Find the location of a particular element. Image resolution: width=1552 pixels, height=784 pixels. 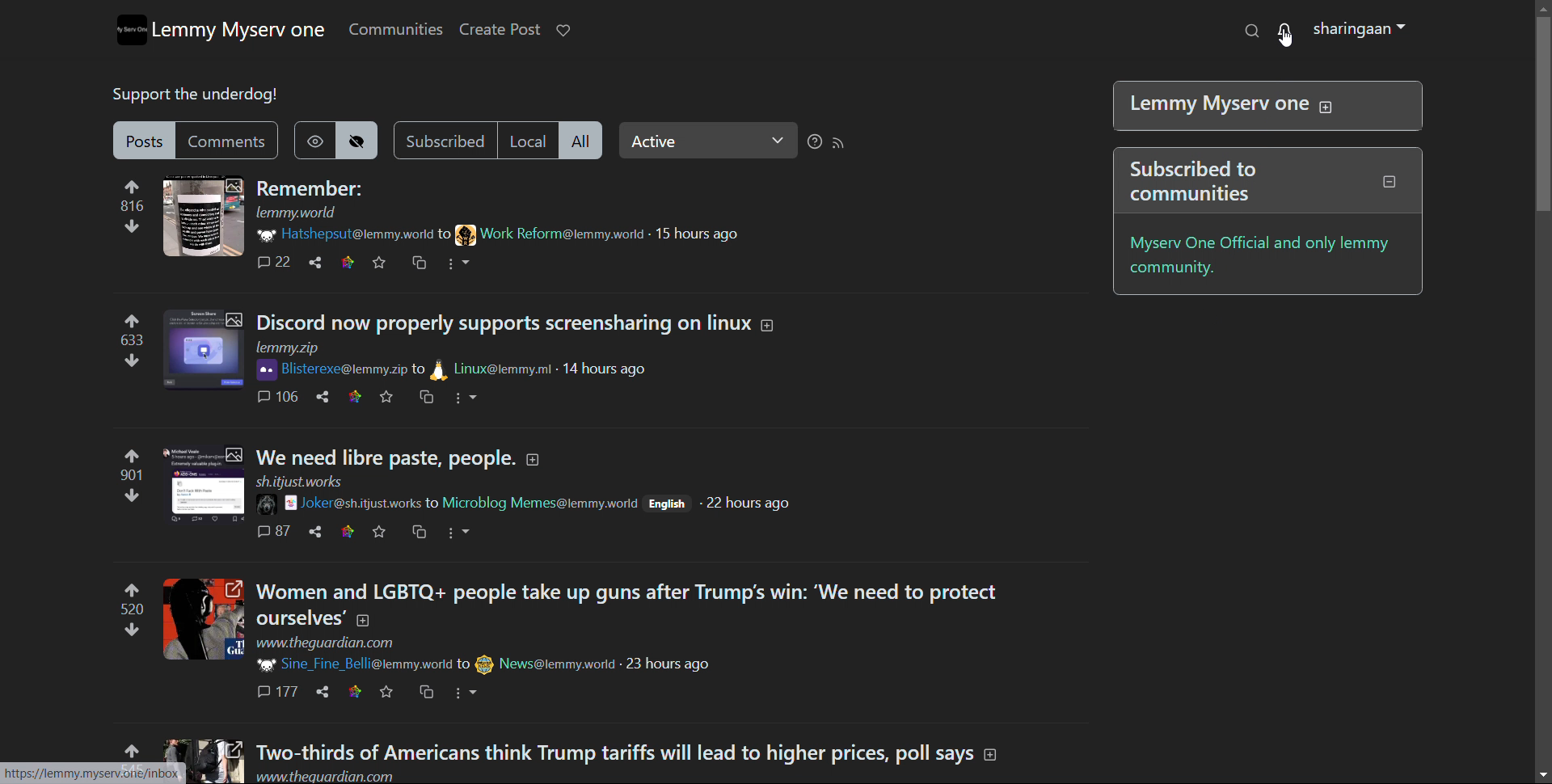

search is located at coordinates (1251, 31).